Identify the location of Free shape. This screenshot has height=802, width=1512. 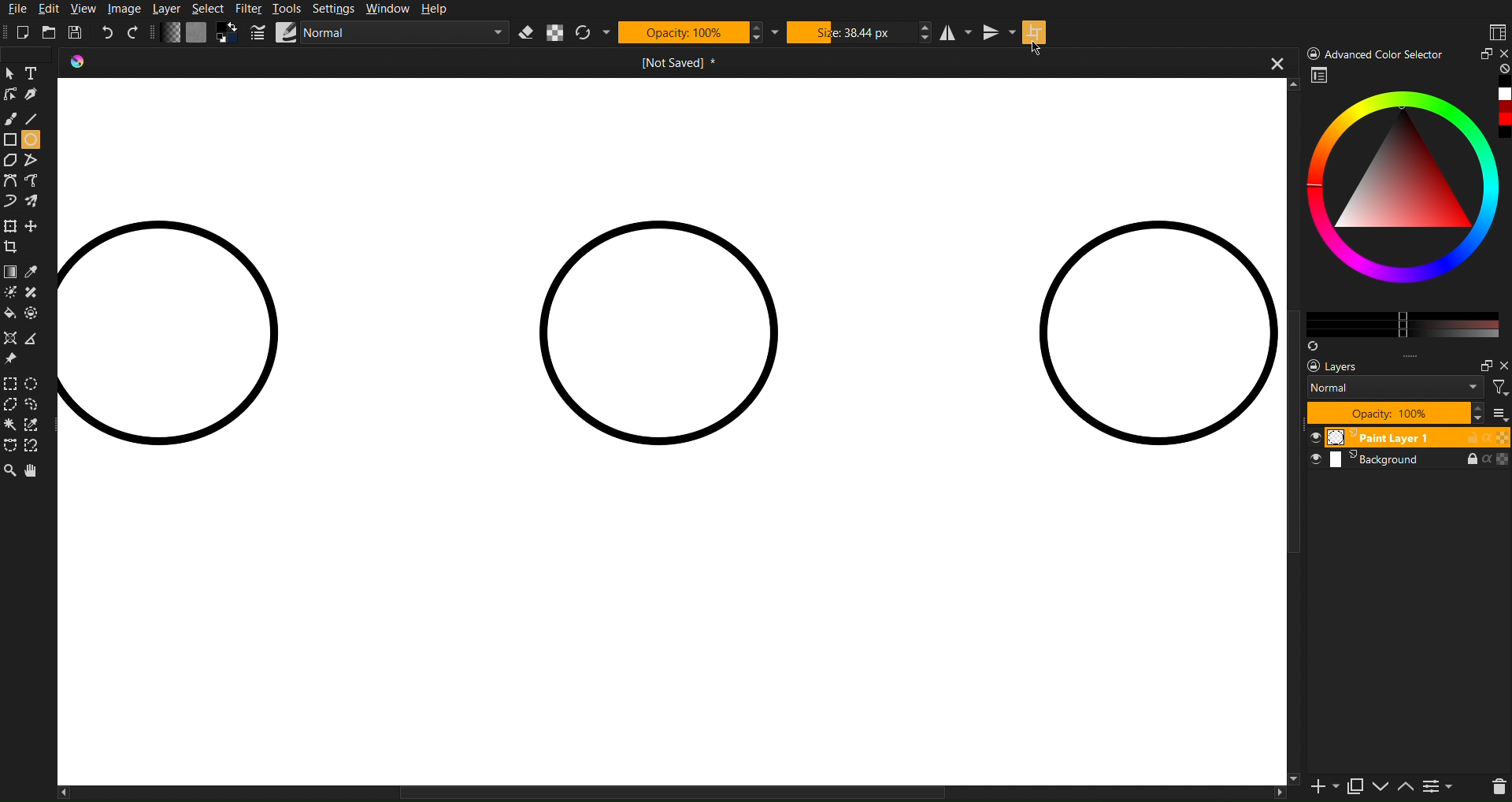
(11, 446).